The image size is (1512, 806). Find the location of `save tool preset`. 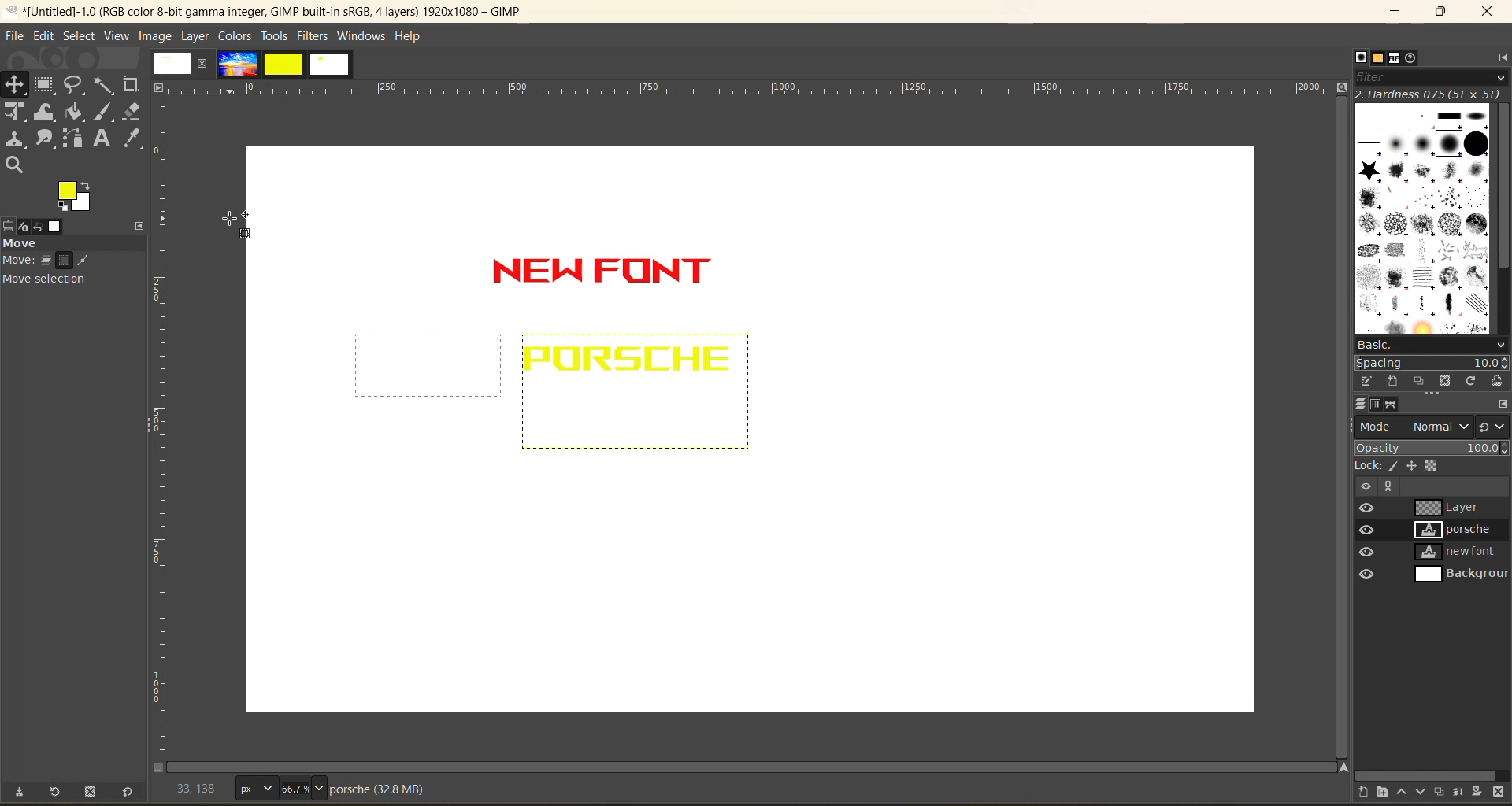

save tool preset is located at coordinates (21, 793).